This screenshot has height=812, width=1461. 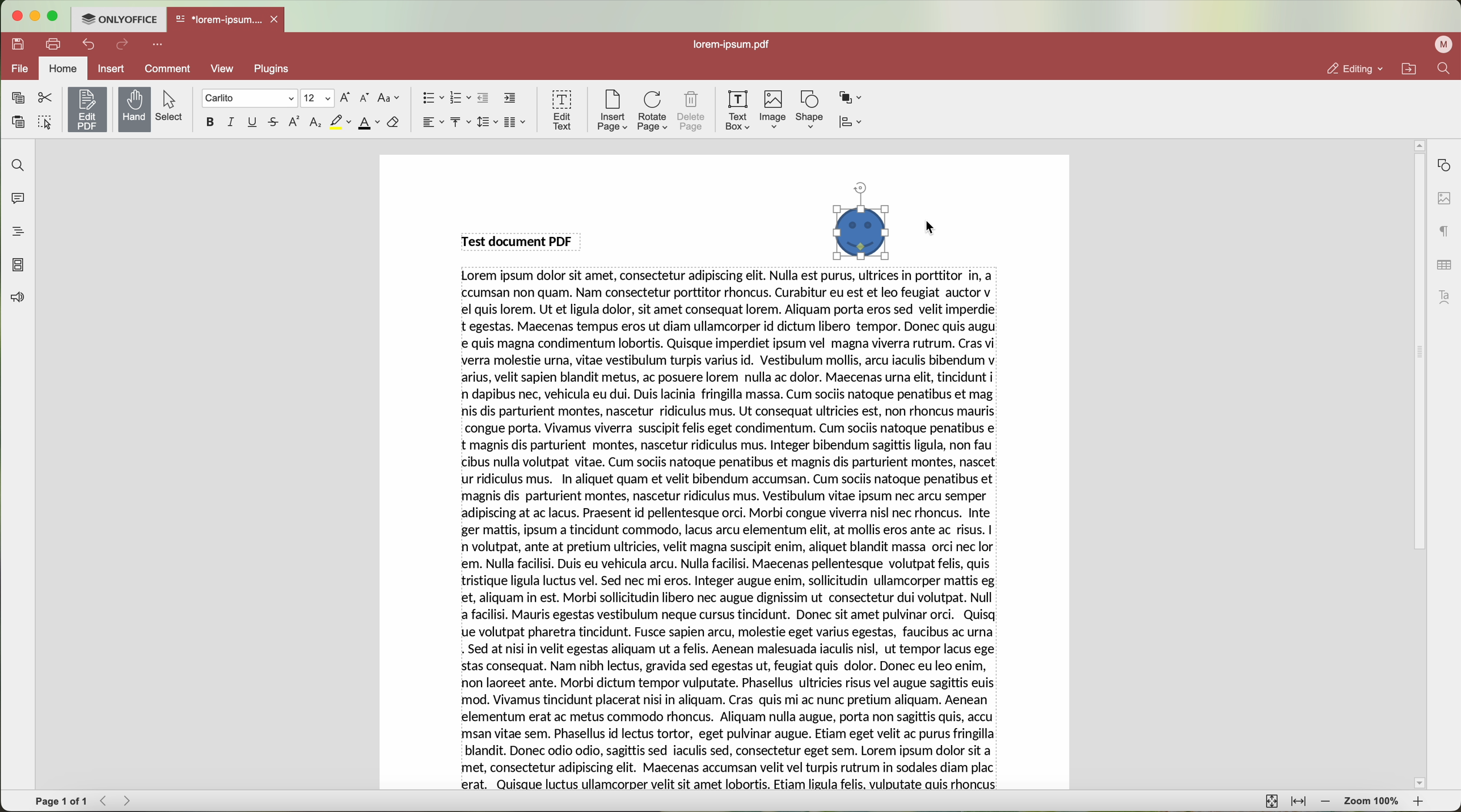 I want to click on insert columns, so click(x=516, y=122).